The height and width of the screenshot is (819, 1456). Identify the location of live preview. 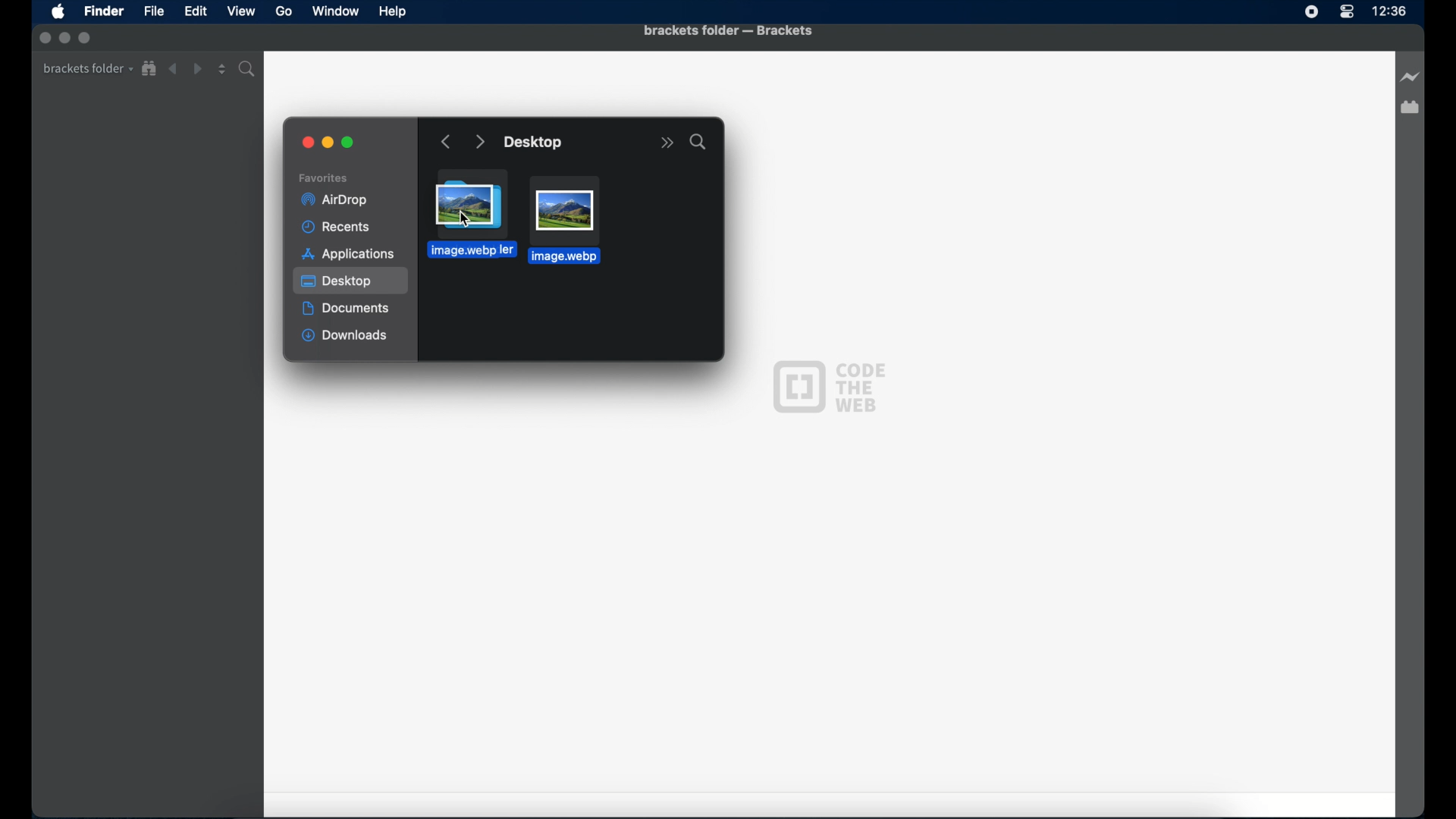
(1410, 77).